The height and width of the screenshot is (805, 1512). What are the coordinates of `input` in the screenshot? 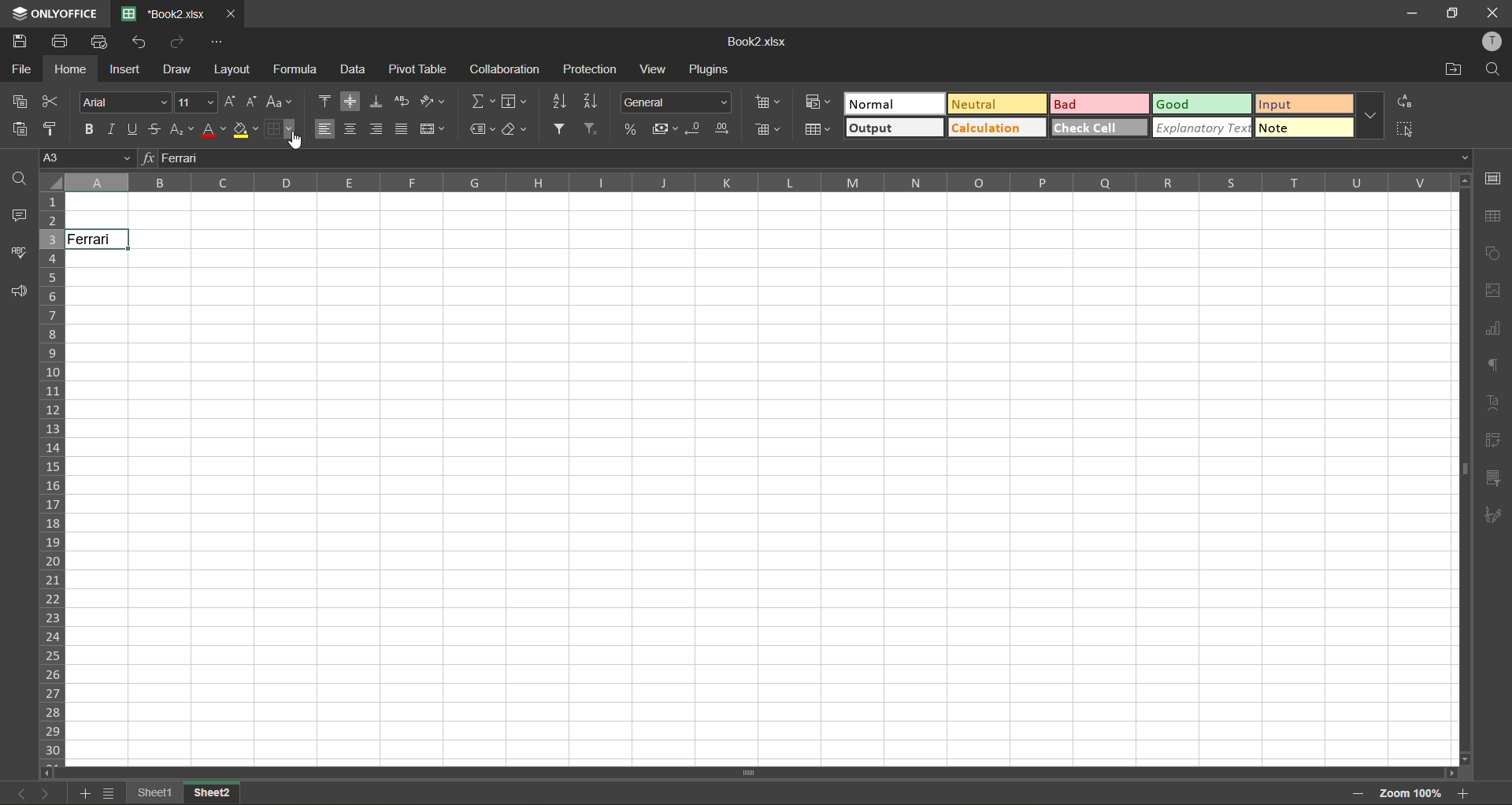 It's located at (1303, 104).